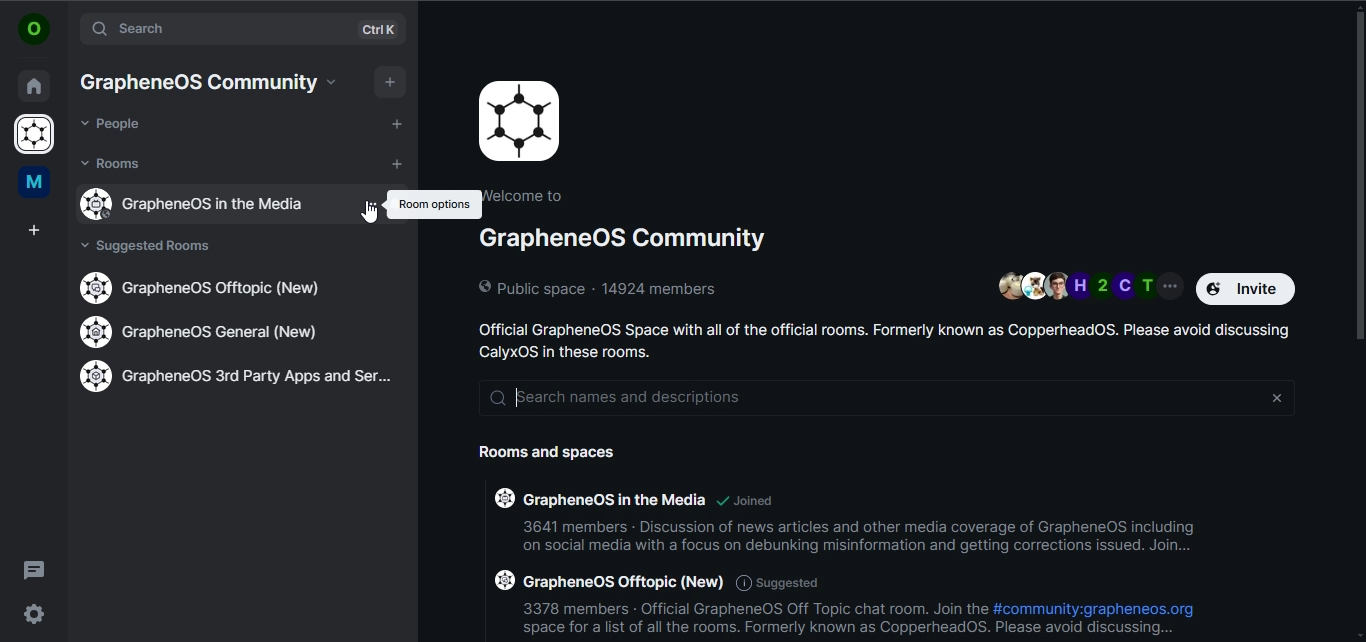 The height and width of the screenshot is (642, 1366). Describe the element at coordinates (888, 341) in the screenshot. I see `Official GrapheneOS Space with all of the official rooms. Formerly known as CopperheadOS. Please avoid discussing
CalyxOS in these rooms.` at that location.